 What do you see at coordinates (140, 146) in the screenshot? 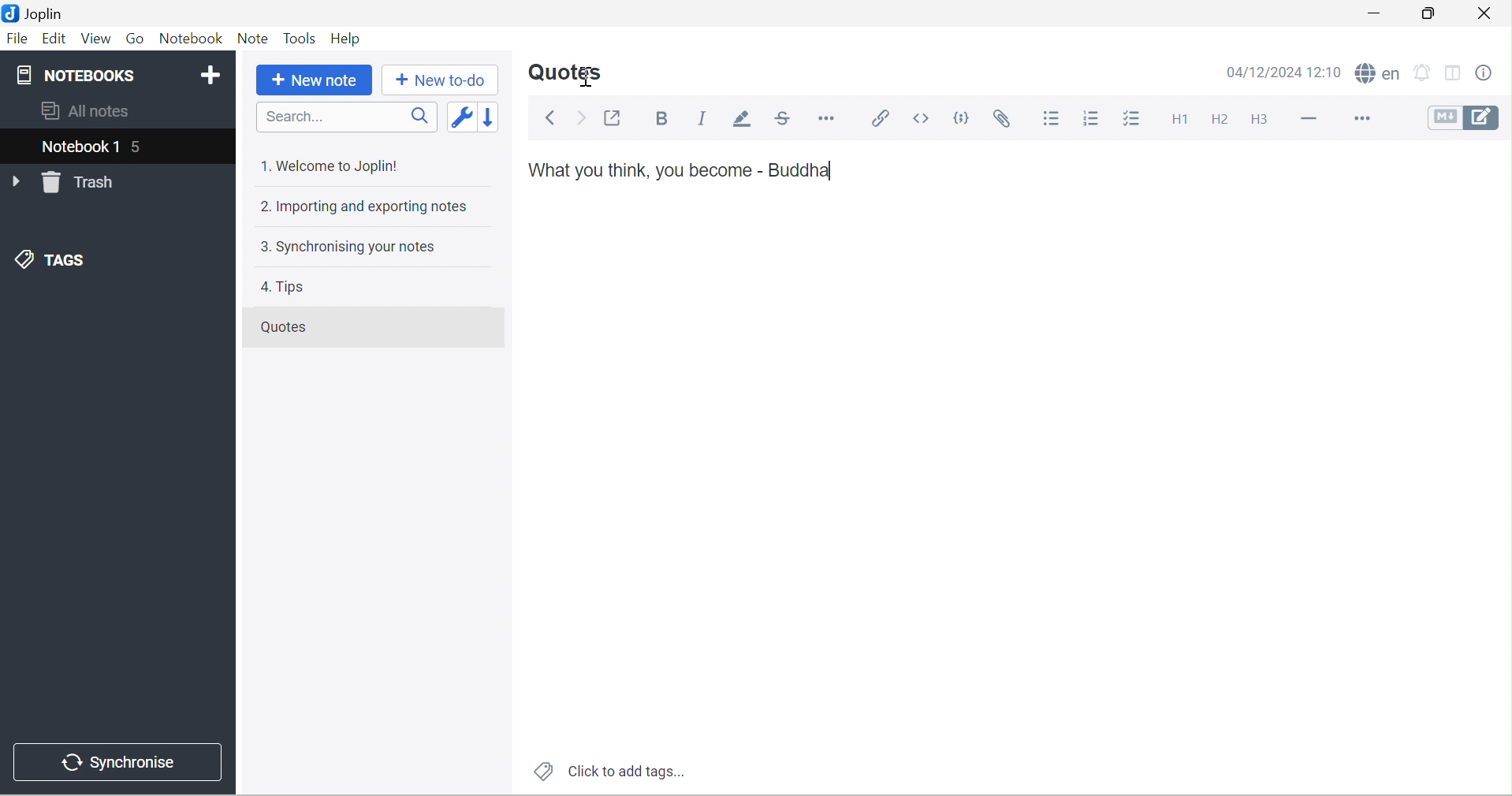
I see `5` at bounding box center [140, 146].